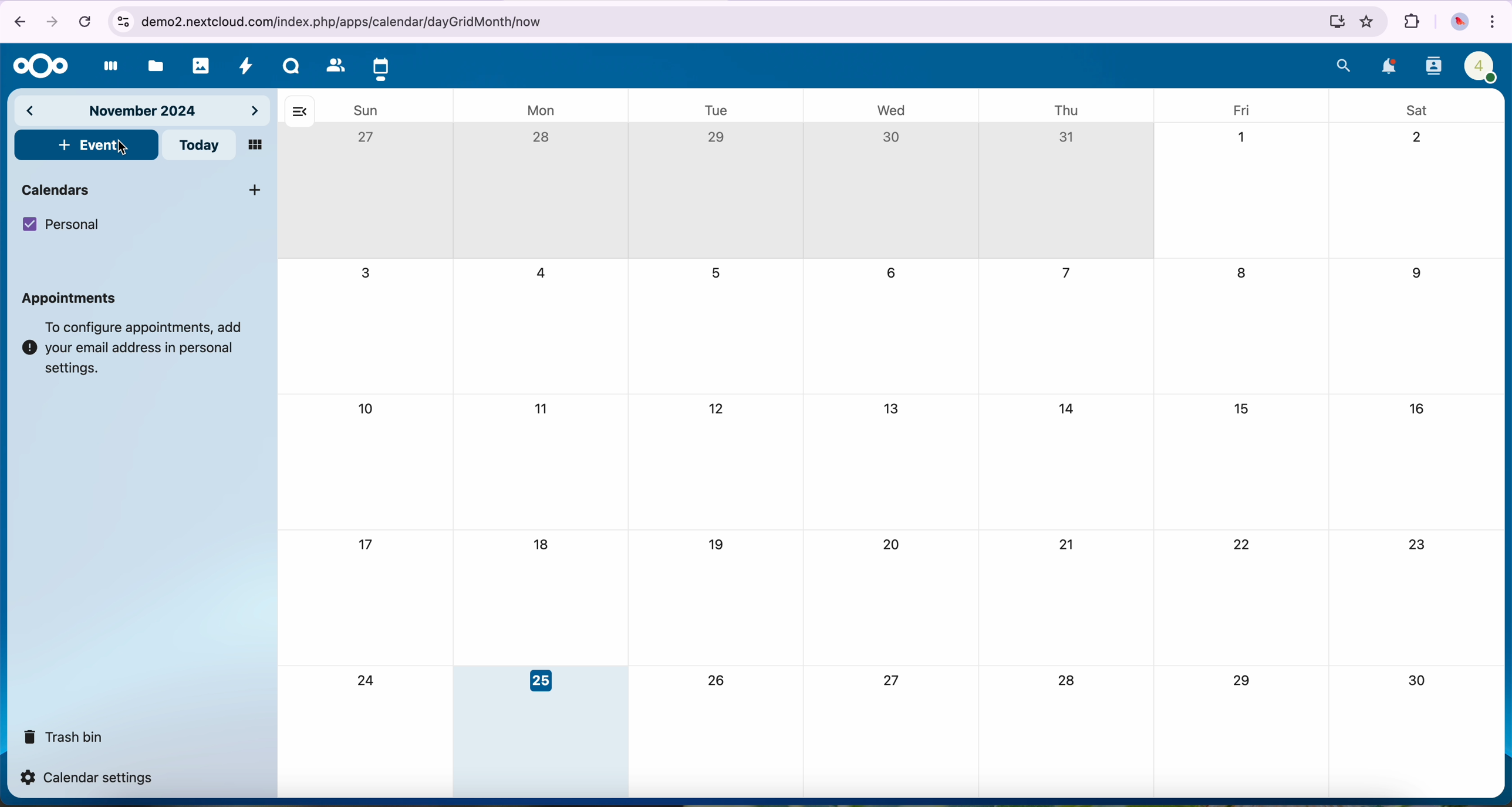 This screenshot has width=1512, height=807. Describe the element at coordinates (719, 545) in the screenshot. I see `19` at that location.